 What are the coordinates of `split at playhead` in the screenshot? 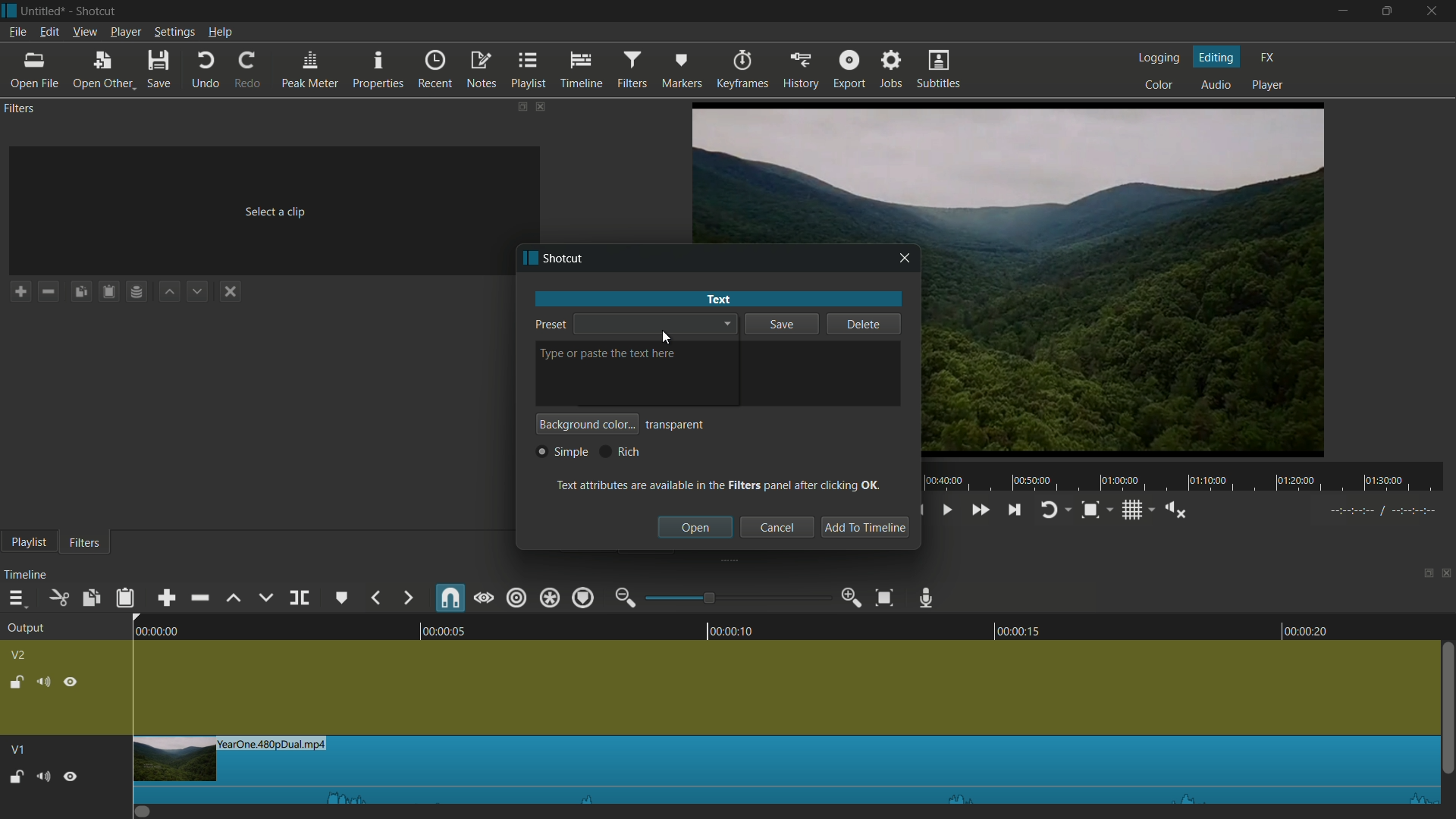 It's located at (299, 598).